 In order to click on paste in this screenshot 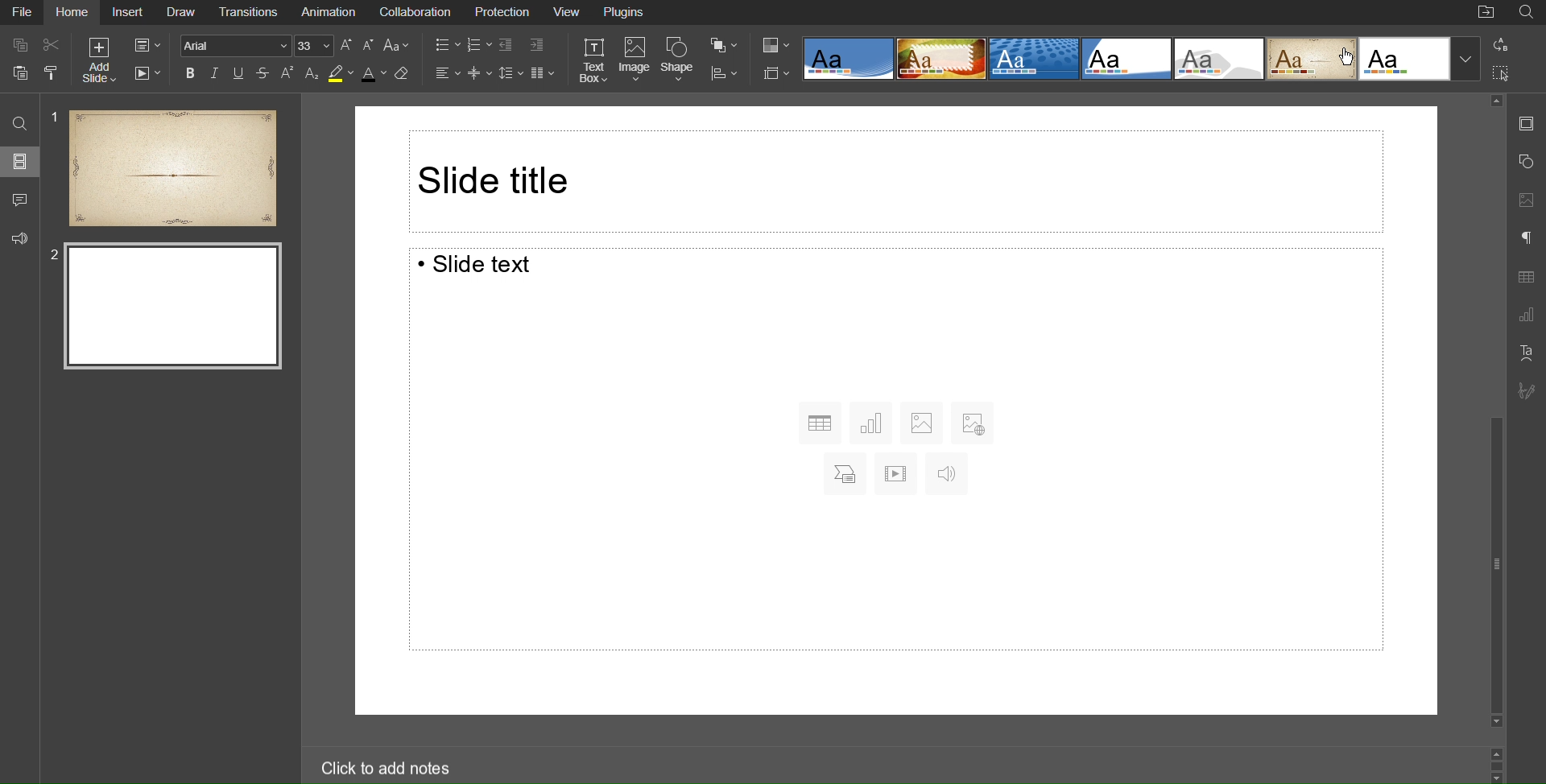, I will do `click(19, 73)`.